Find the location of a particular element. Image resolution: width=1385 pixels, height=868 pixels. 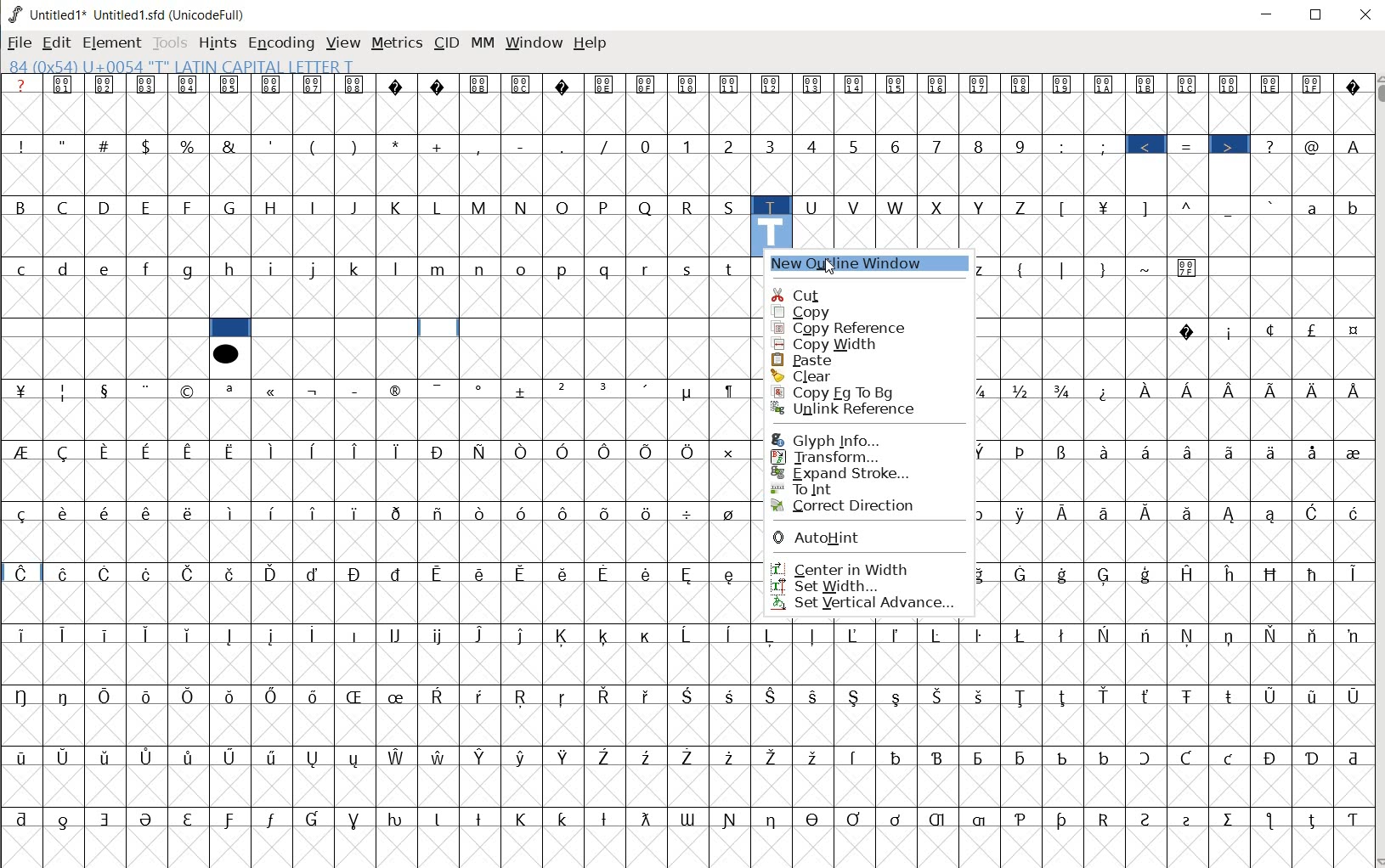

Symbol is located at coordinates (354, 696).